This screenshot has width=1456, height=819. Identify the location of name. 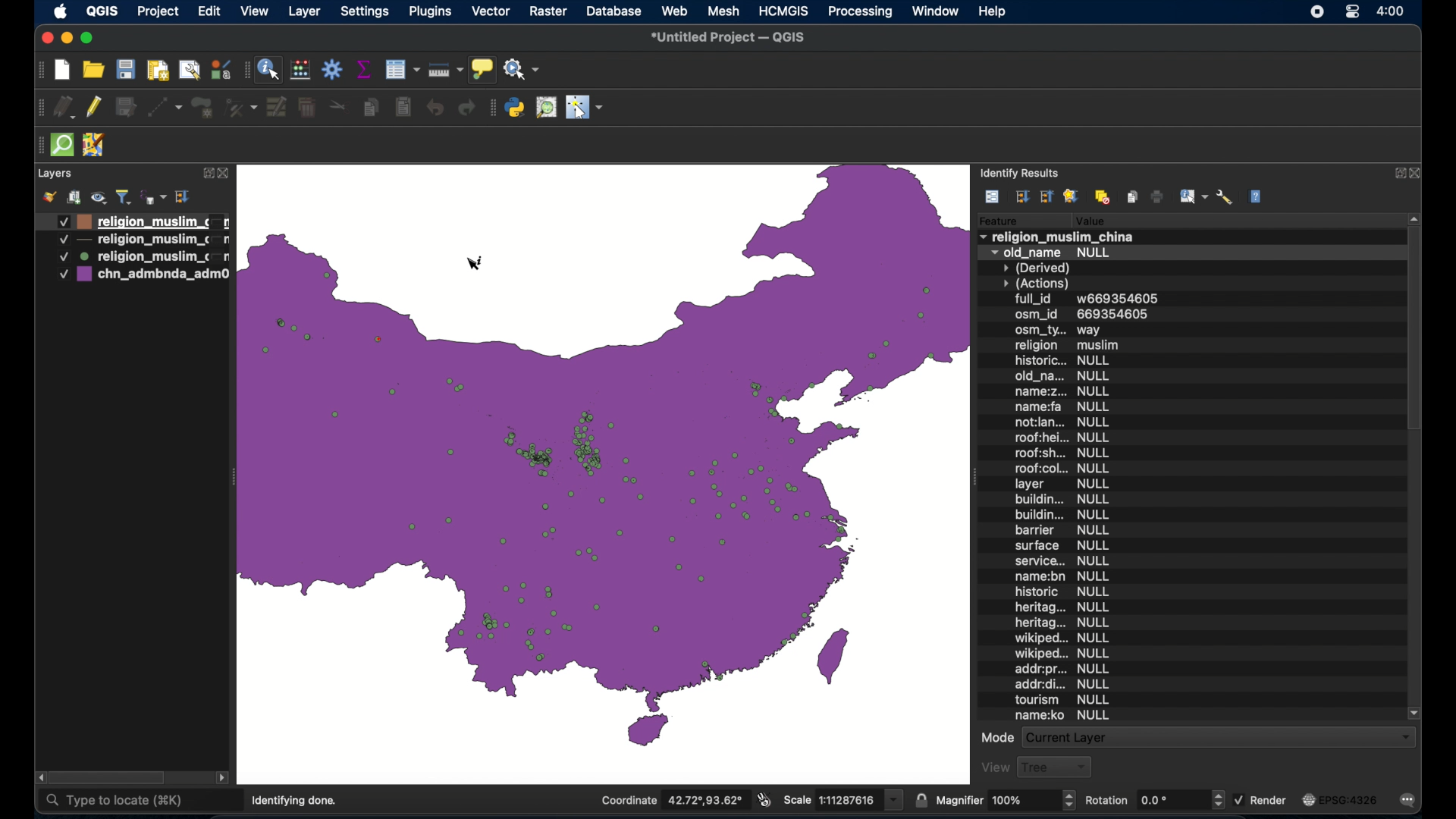
(1062, 391).